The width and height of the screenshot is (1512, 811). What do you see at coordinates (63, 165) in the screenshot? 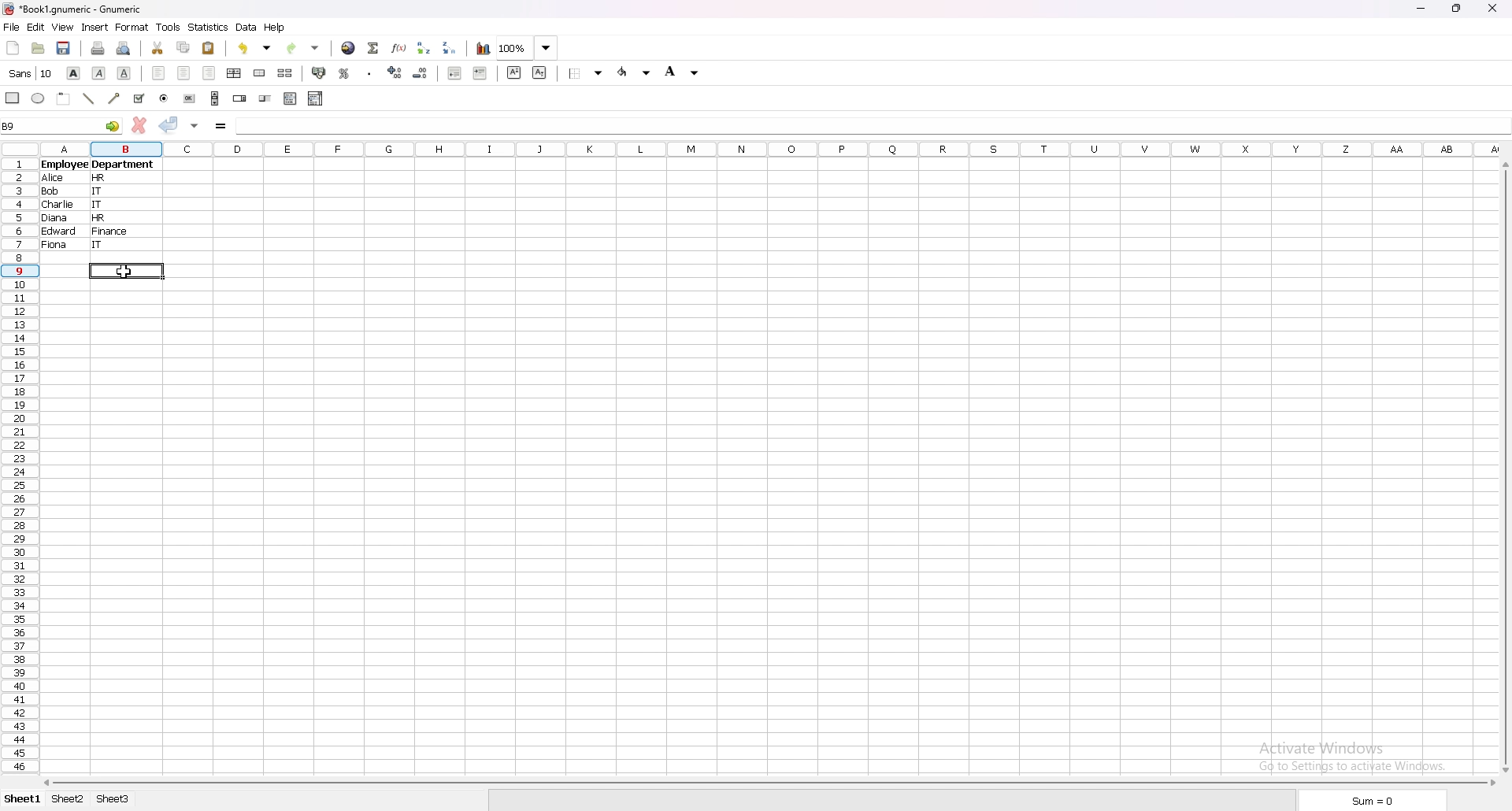
I see `employee` at bounding box center [63, 165].